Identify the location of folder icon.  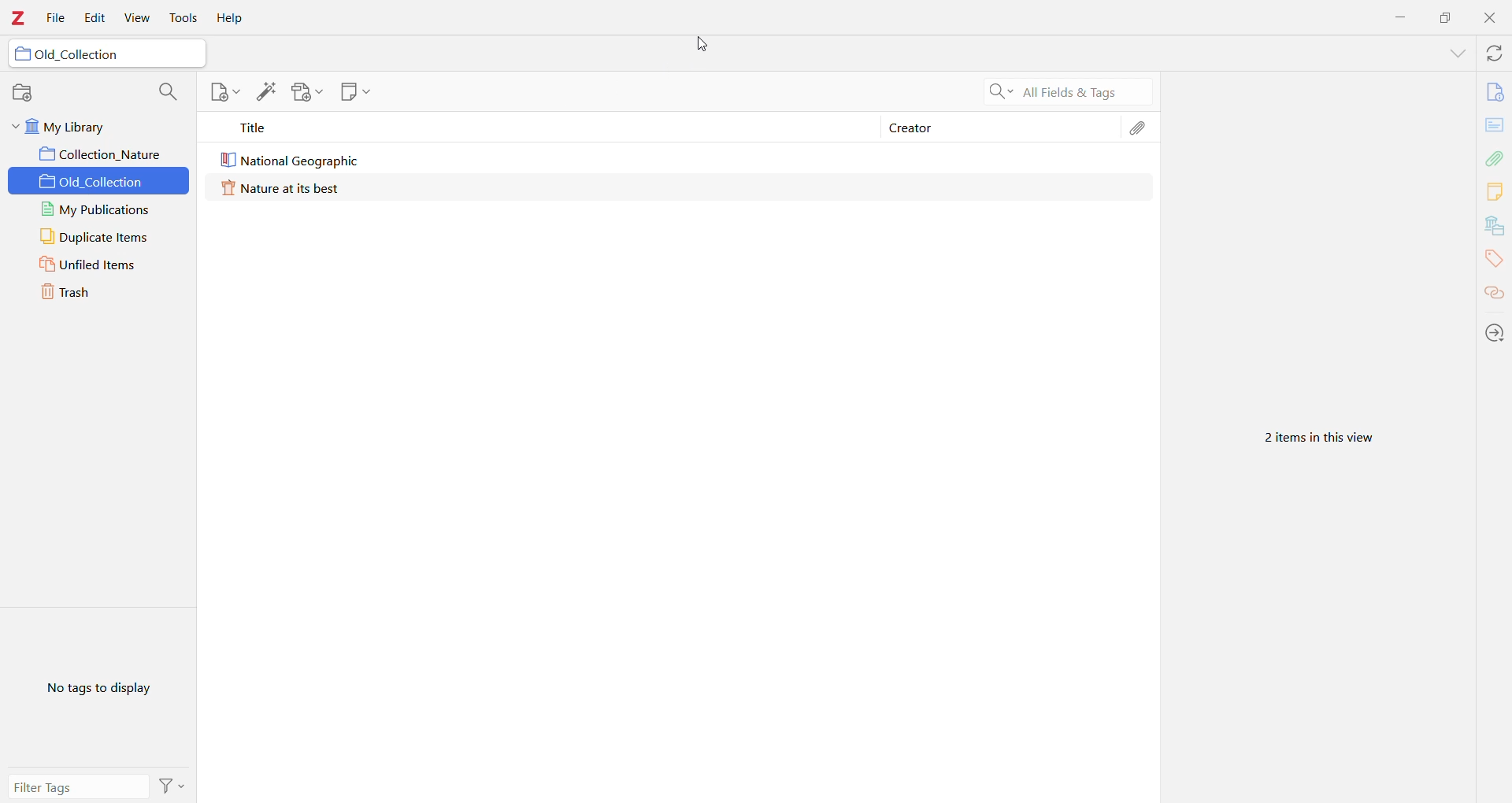
(20, 55).